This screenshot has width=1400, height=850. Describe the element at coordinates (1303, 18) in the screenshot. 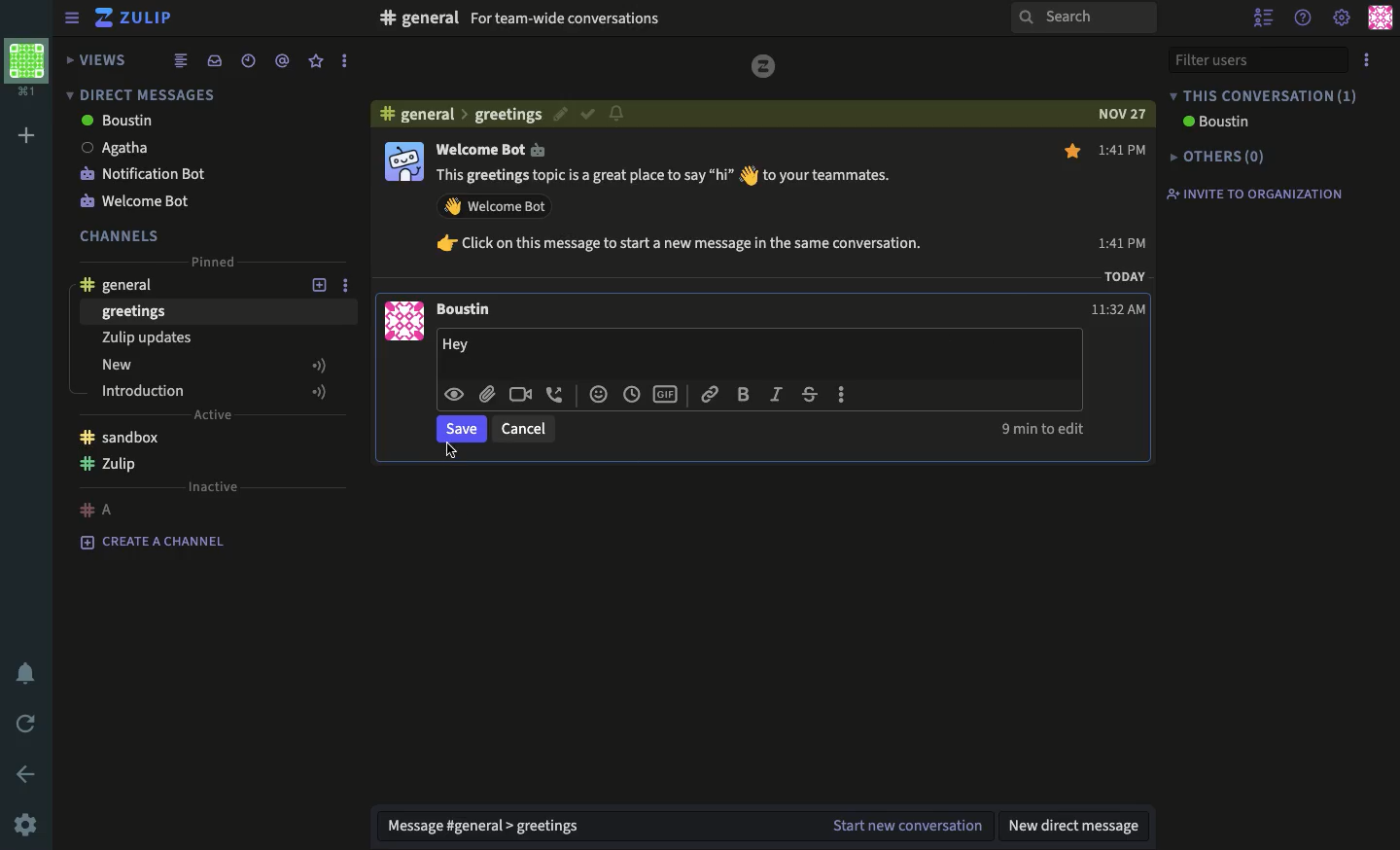

I see `help` at that location.